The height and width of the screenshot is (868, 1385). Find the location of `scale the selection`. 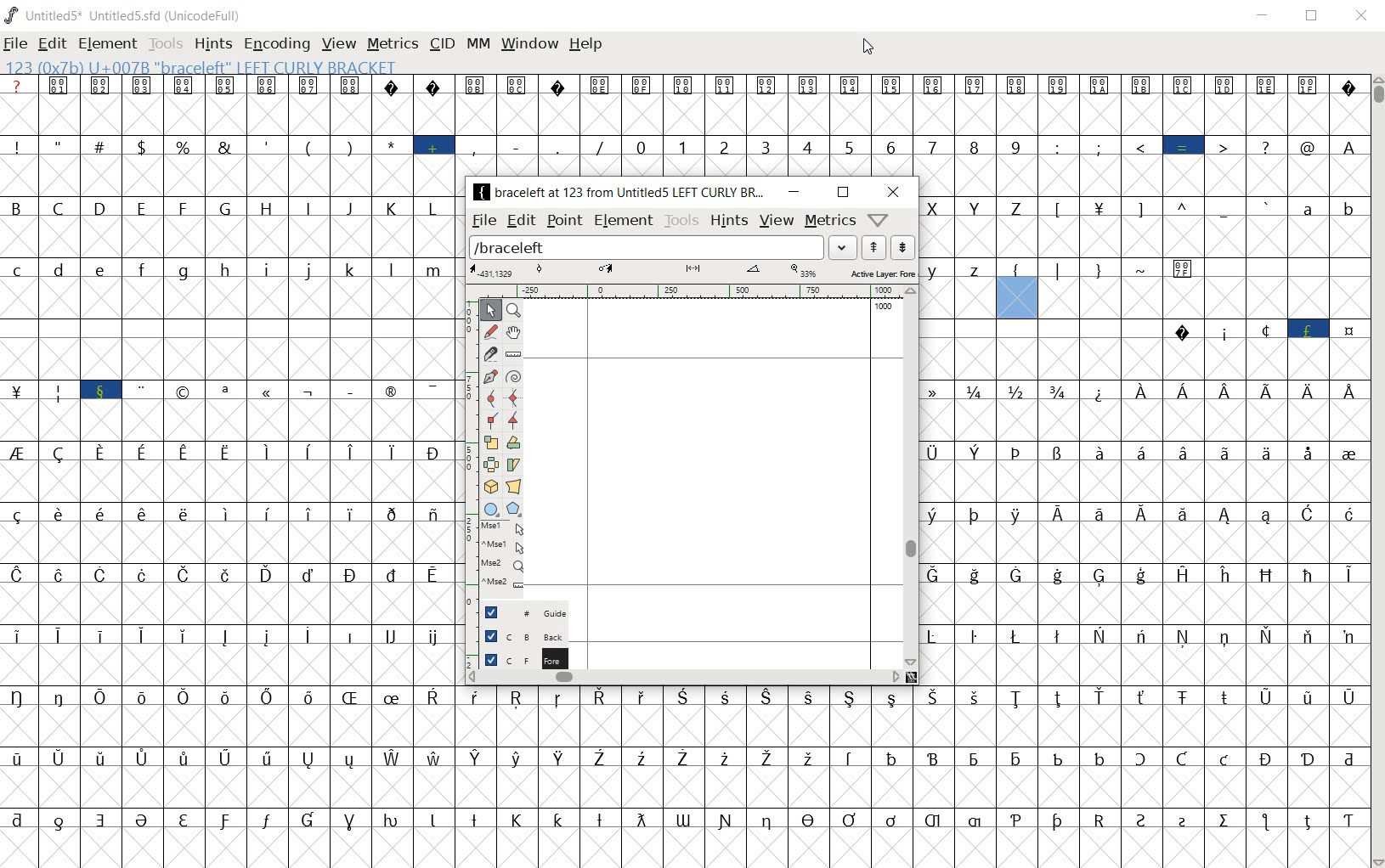

scale the selection is located at coordinates (491, 443).